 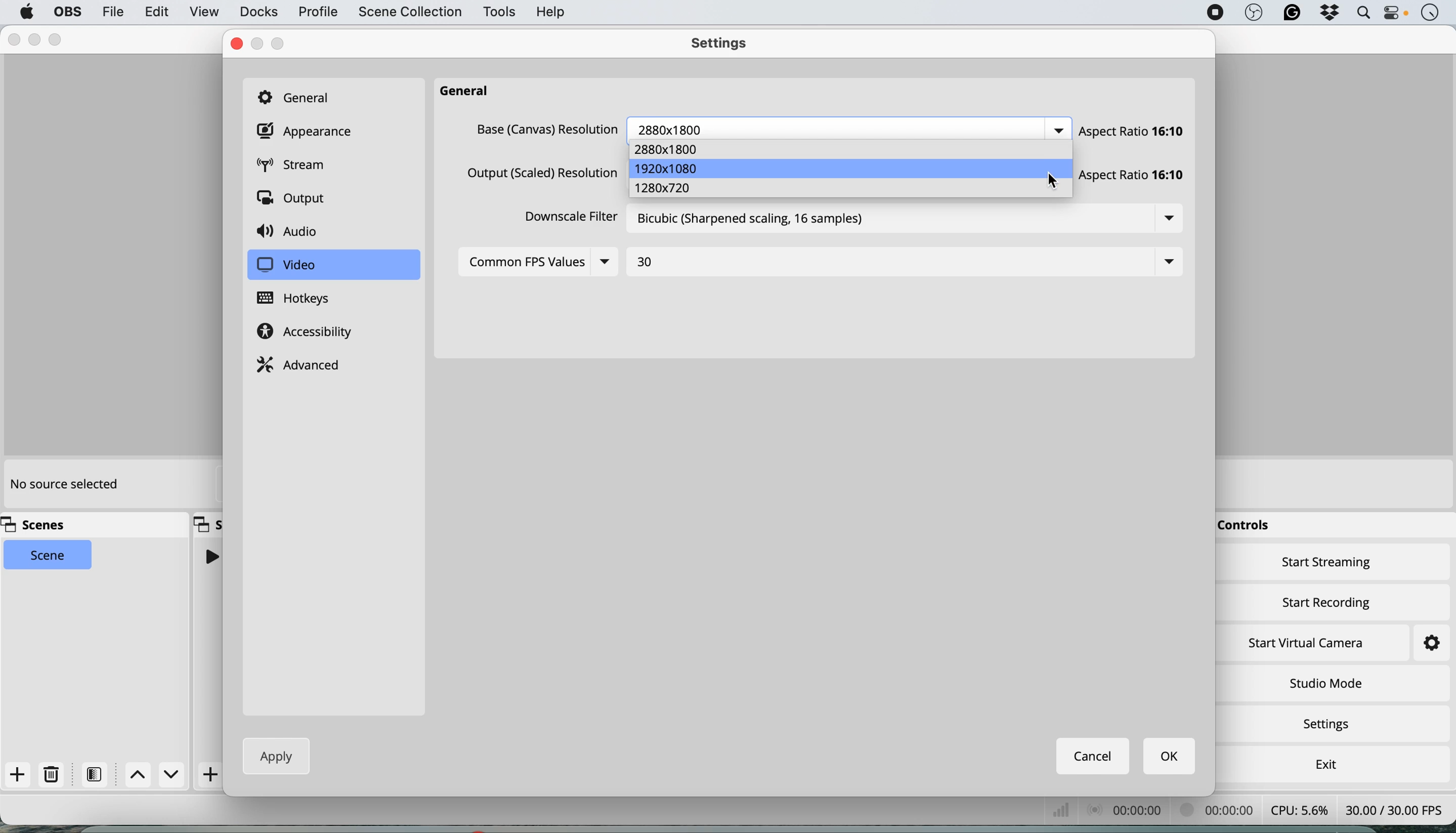 I want to click on 1280x720, so click(x=663, y=189).